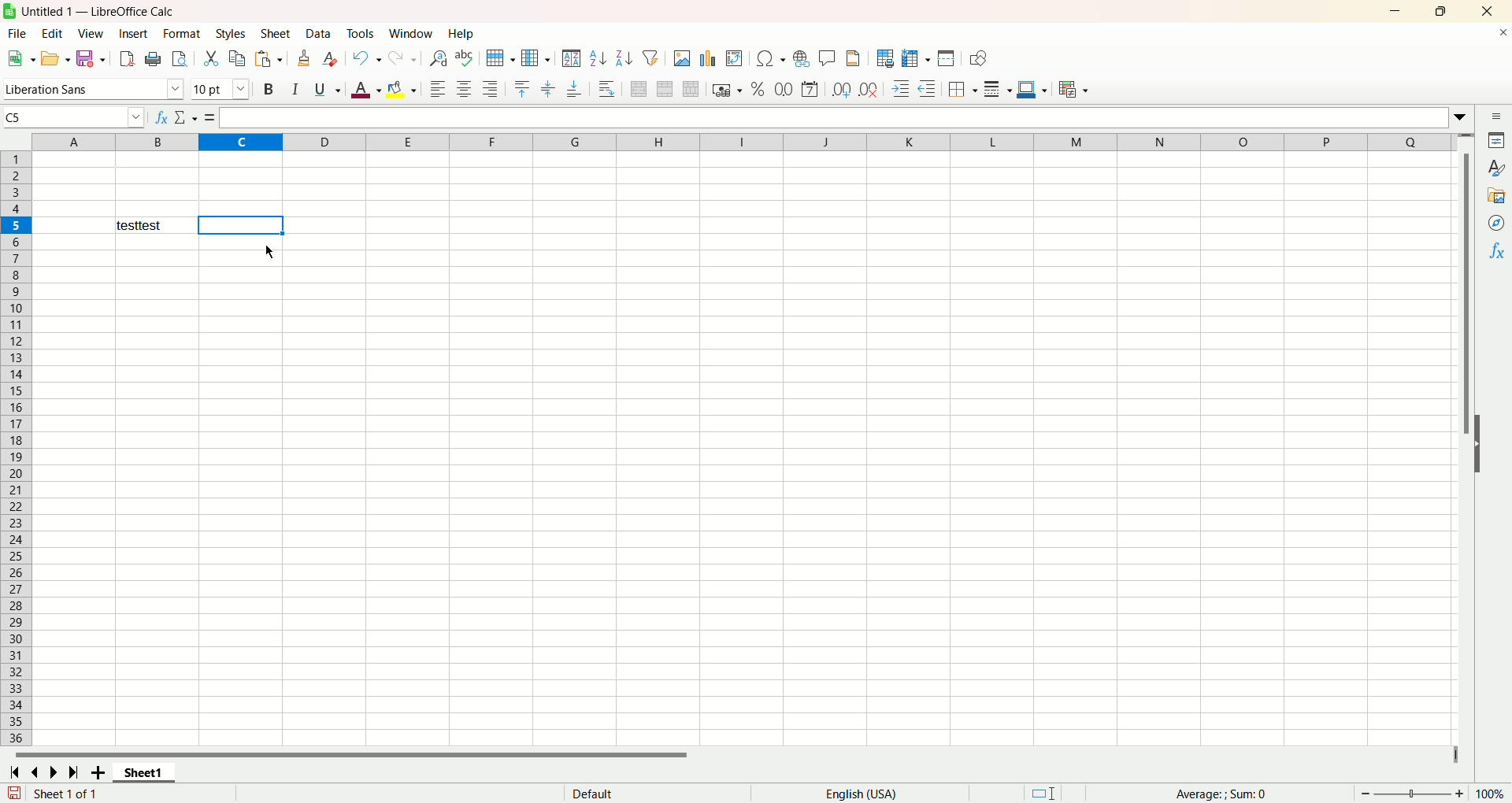 The width and height of the screenshot is (1512, 803). I want to click on insert comment, so click(828, 57).